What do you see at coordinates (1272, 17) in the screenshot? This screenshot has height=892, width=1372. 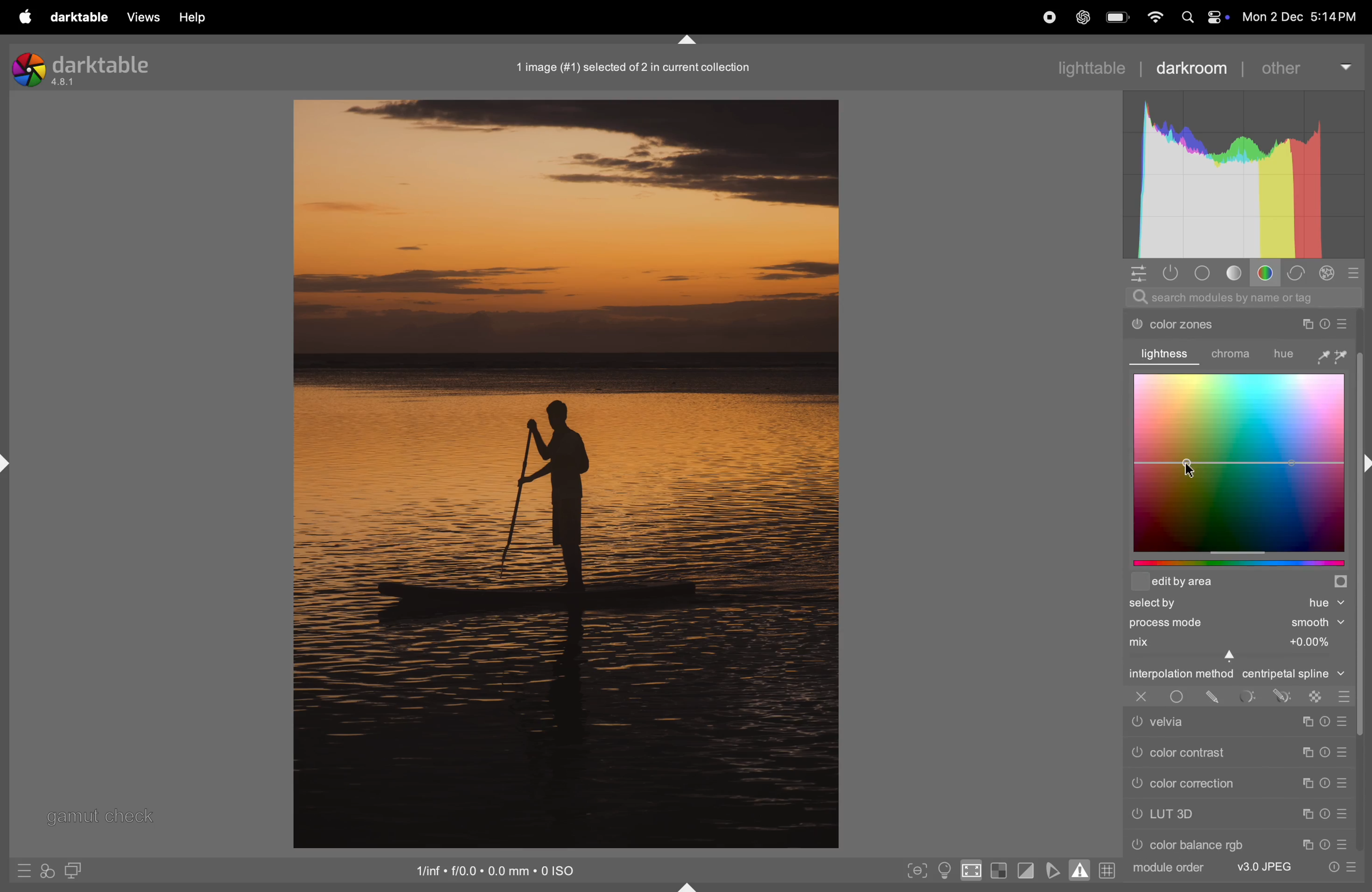 I see `Mon 2 Dec` at bounding box center [1272, 17].